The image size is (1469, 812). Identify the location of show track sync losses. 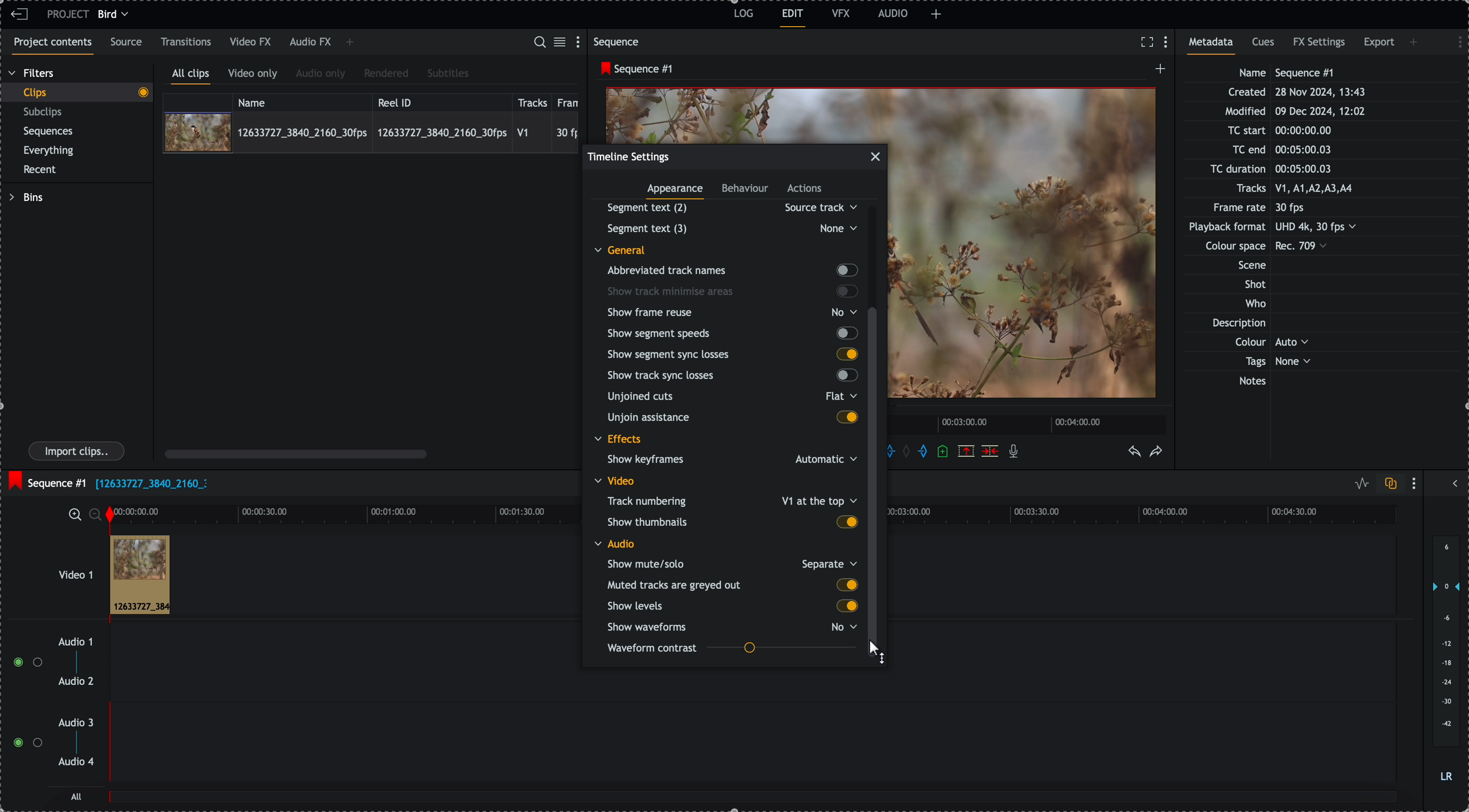
(729, 376).